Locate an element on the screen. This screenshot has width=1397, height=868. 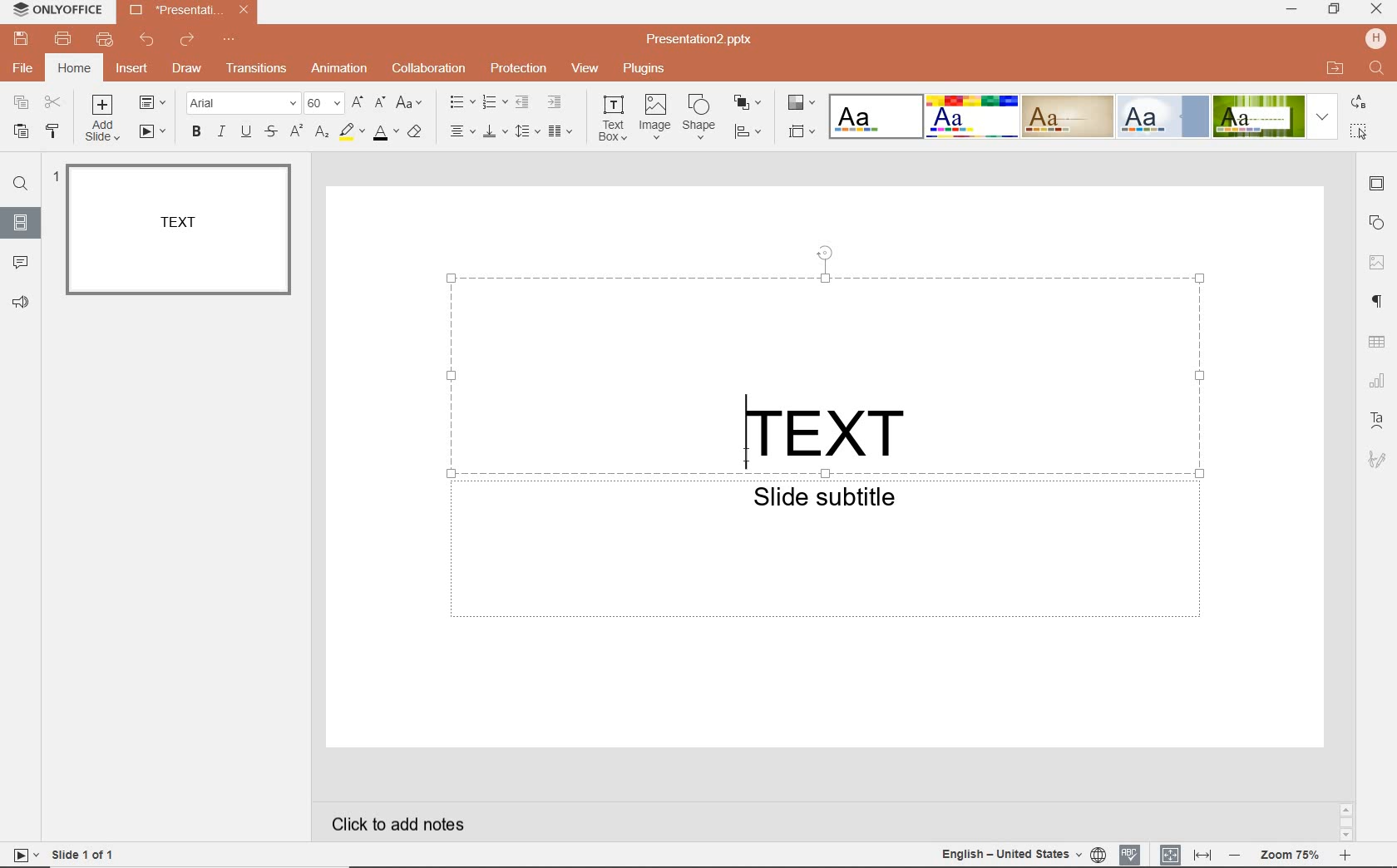
PRINT is located at coordinates (64, 39).